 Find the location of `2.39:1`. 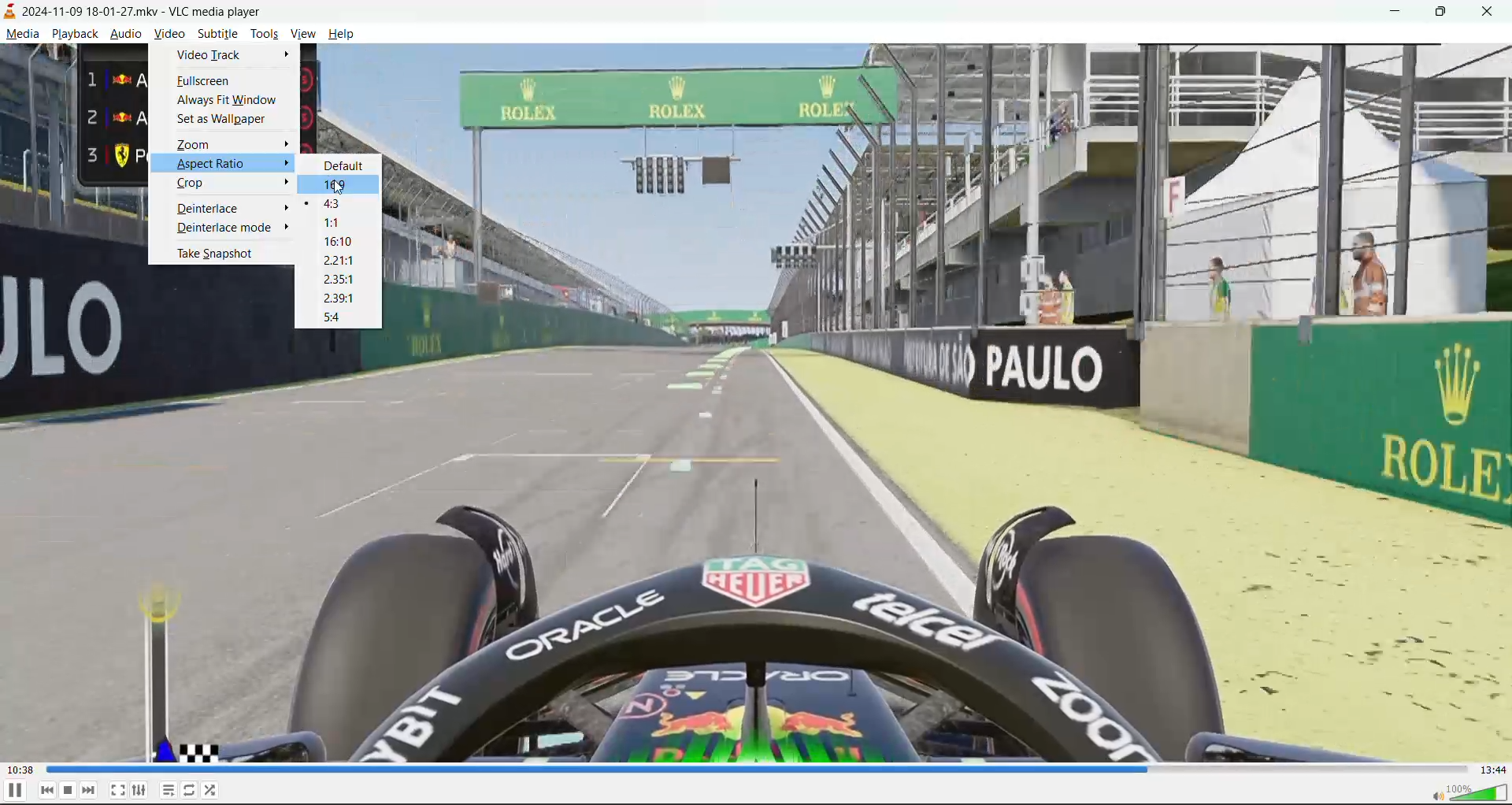

2.39:1 is located at coordinates (339, 300).